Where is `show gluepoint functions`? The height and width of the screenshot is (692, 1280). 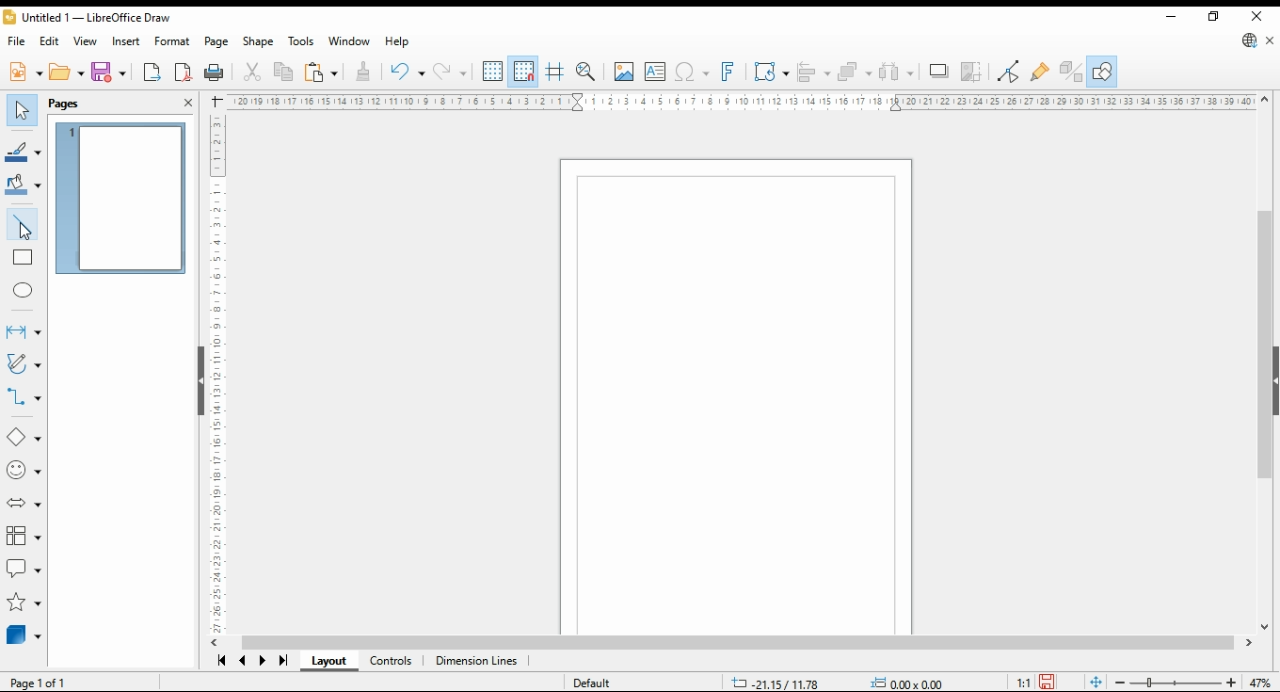 show gluepoint functions is located at coordinates (1040, 70).